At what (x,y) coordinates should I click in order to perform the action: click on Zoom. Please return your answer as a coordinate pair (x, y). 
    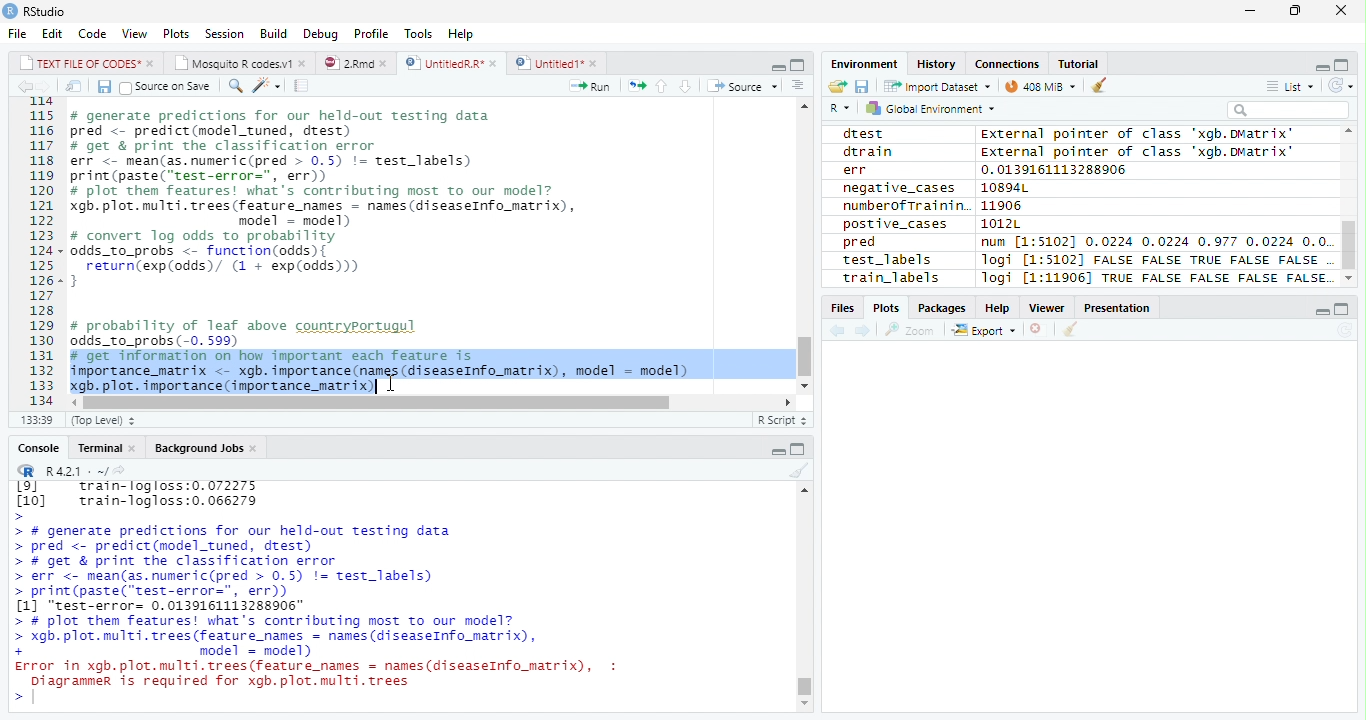
    Looking at the image, I should click on (911, 328).